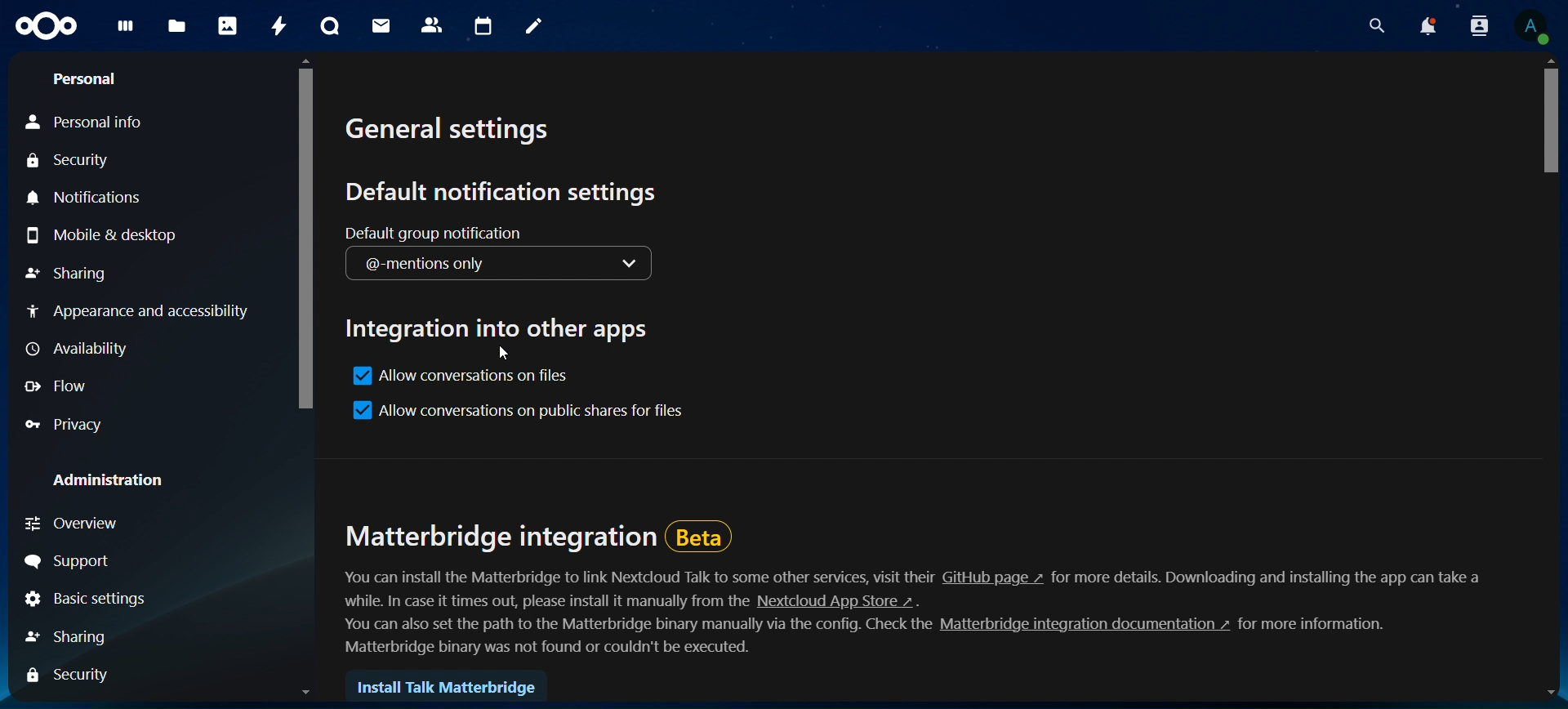 The image size is (1568, 709). What do you see at coordinates (639, 577) in the screenshot?
I see `text` at bounding box center [639, 577].